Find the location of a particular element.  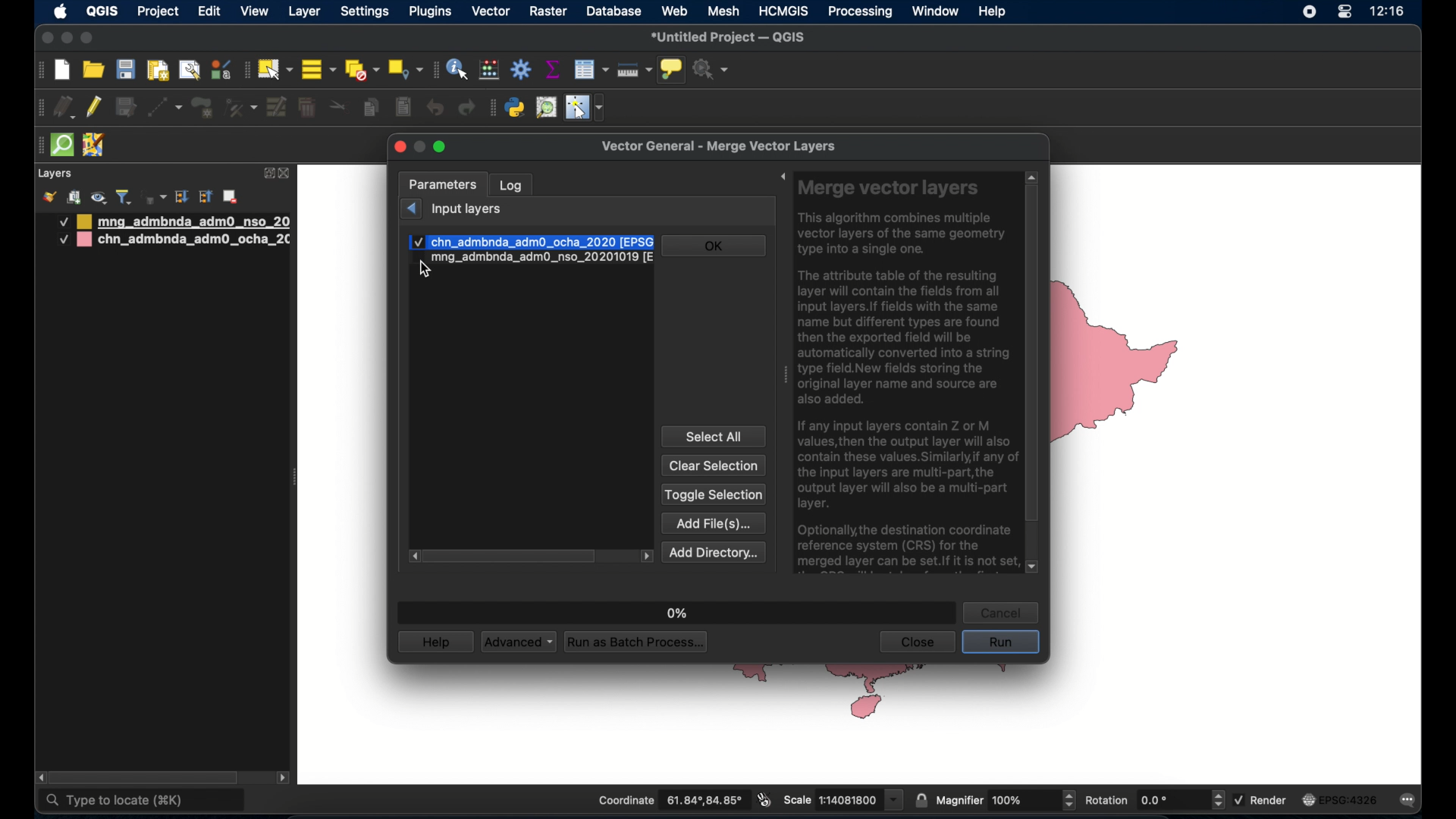

maximize is located at coordinates (87, 39).